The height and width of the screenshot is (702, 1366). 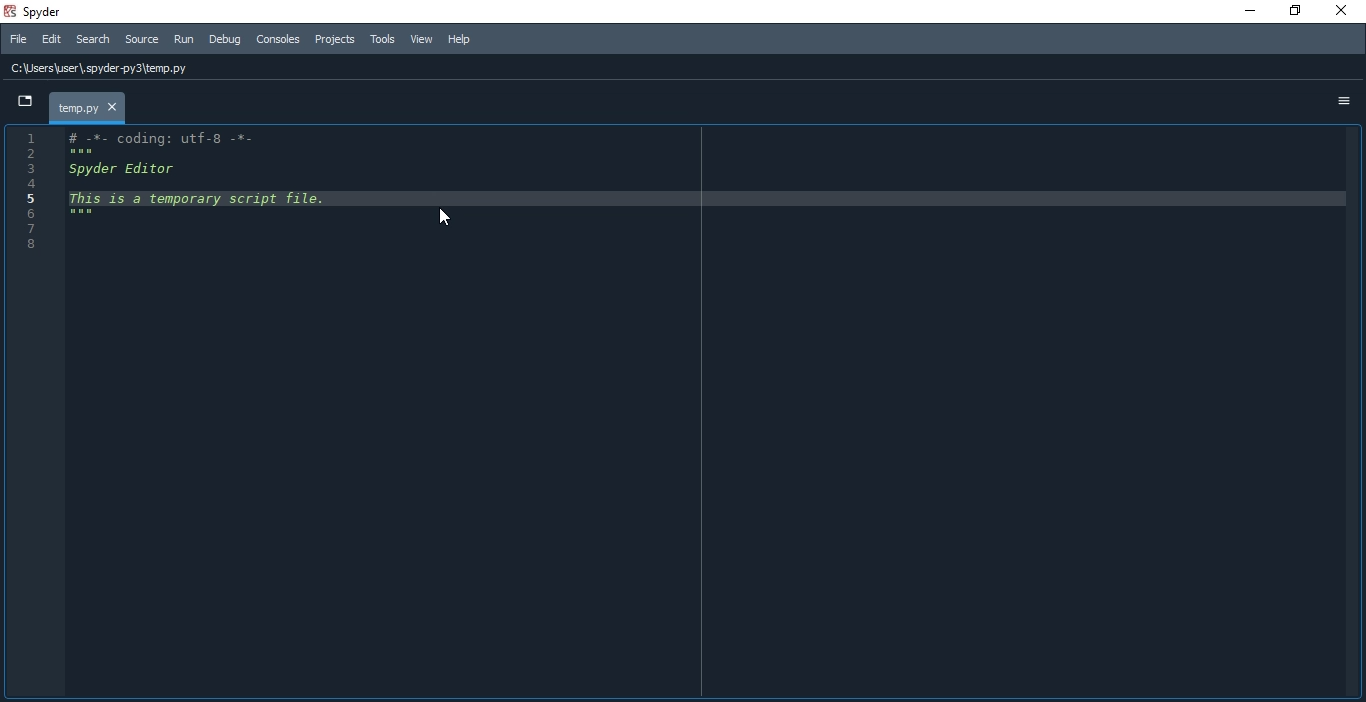 What do you see at coordinates (40, 12) in the screenshot?
I see `spyder` at bounding box center [40, 12].